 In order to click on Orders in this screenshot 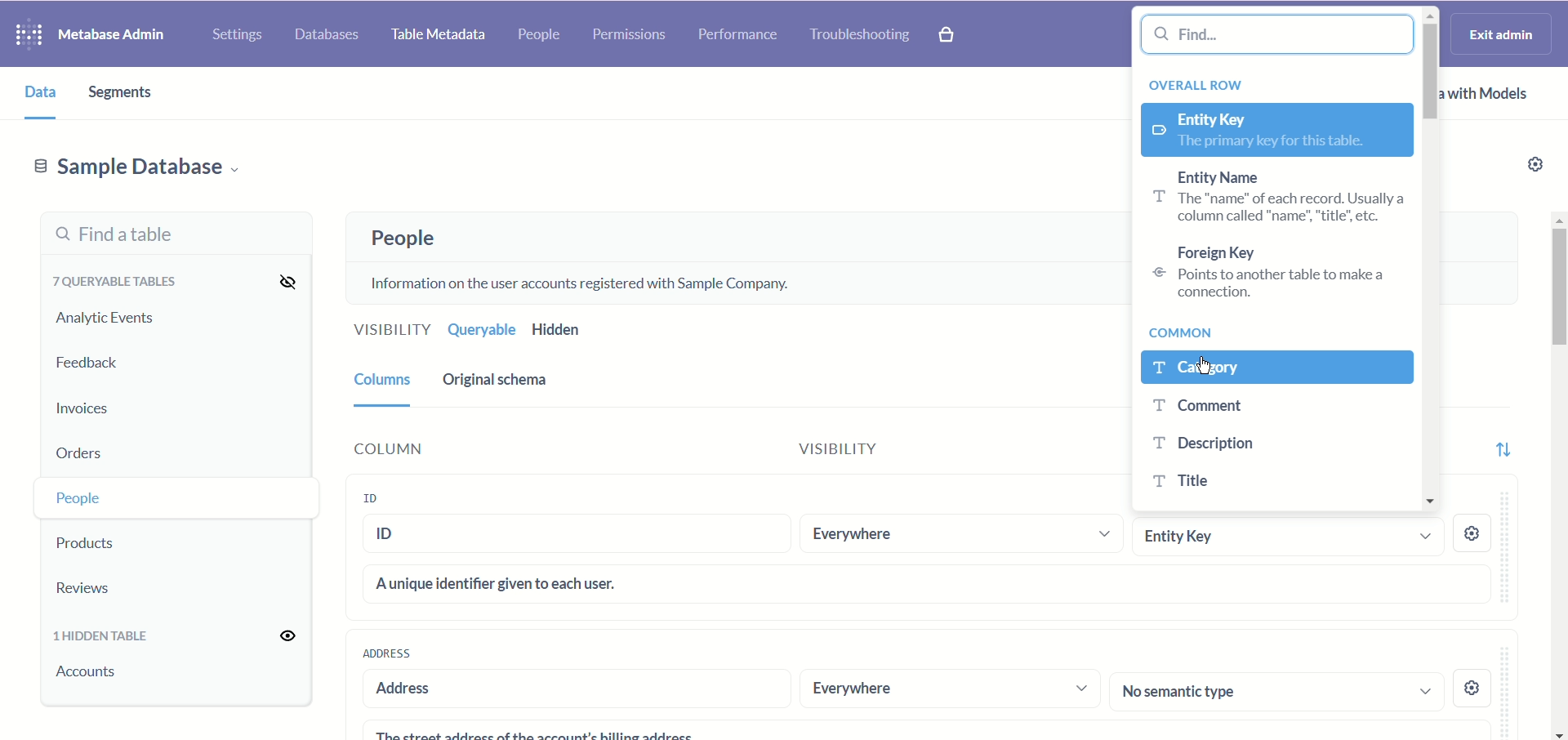, I will do `click(111, 449)`.